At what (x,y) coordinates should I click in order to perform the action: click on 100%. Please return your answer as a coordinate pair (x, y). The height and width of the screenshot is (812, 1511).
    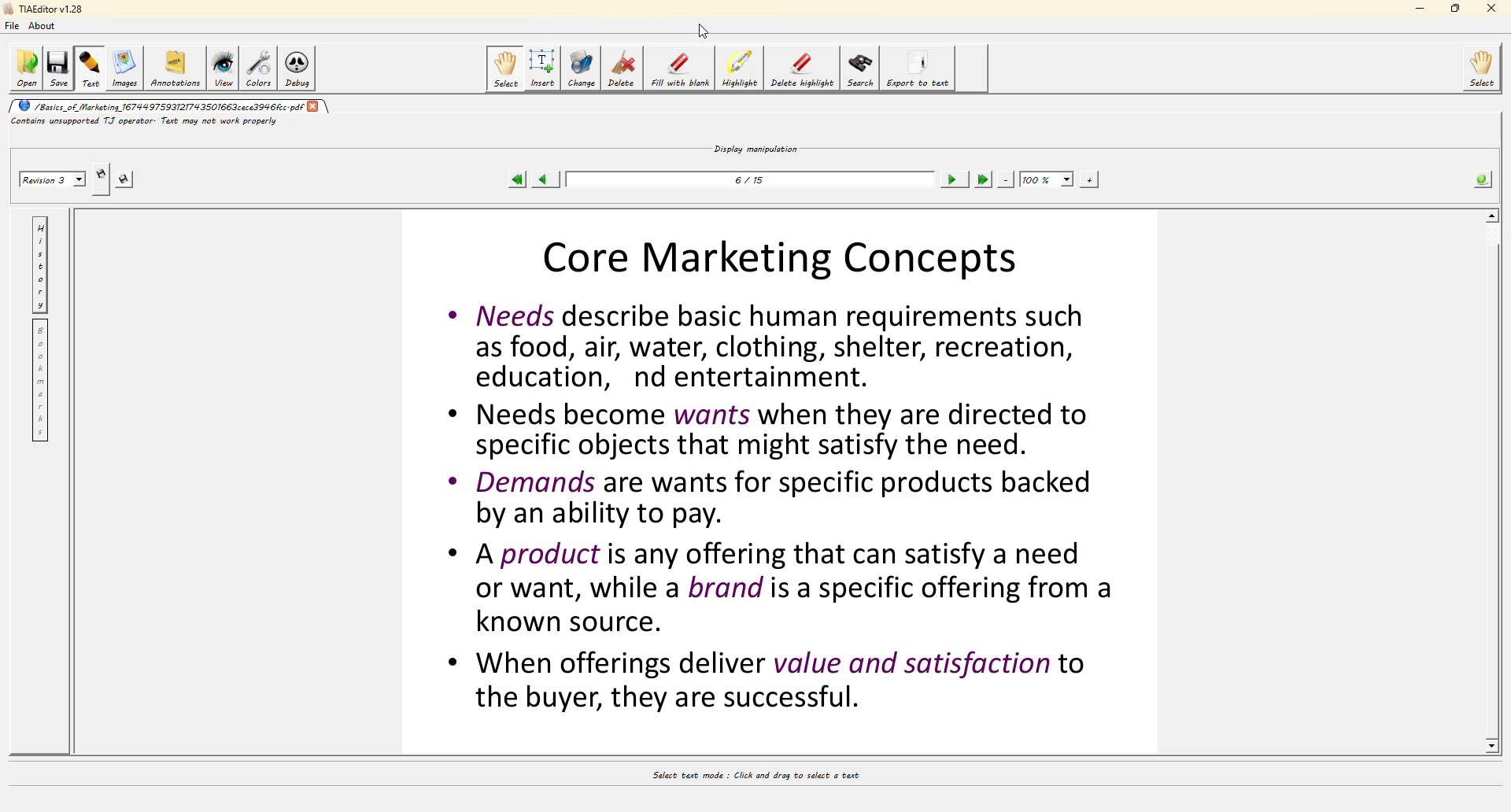
    Looking at the image, I should click on (1046, 179).